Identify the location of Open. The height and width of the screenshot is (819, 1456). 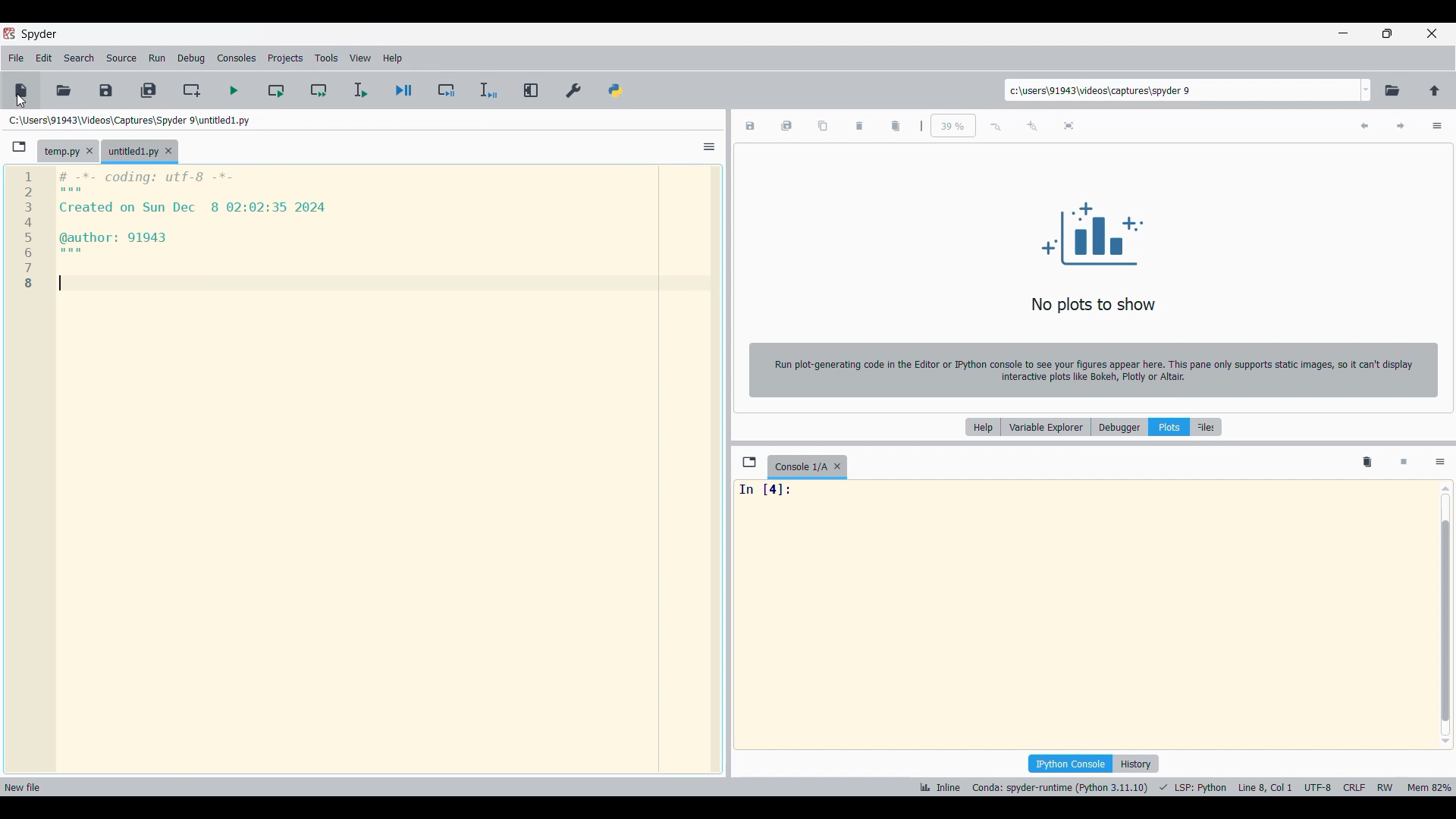
(64, 89).